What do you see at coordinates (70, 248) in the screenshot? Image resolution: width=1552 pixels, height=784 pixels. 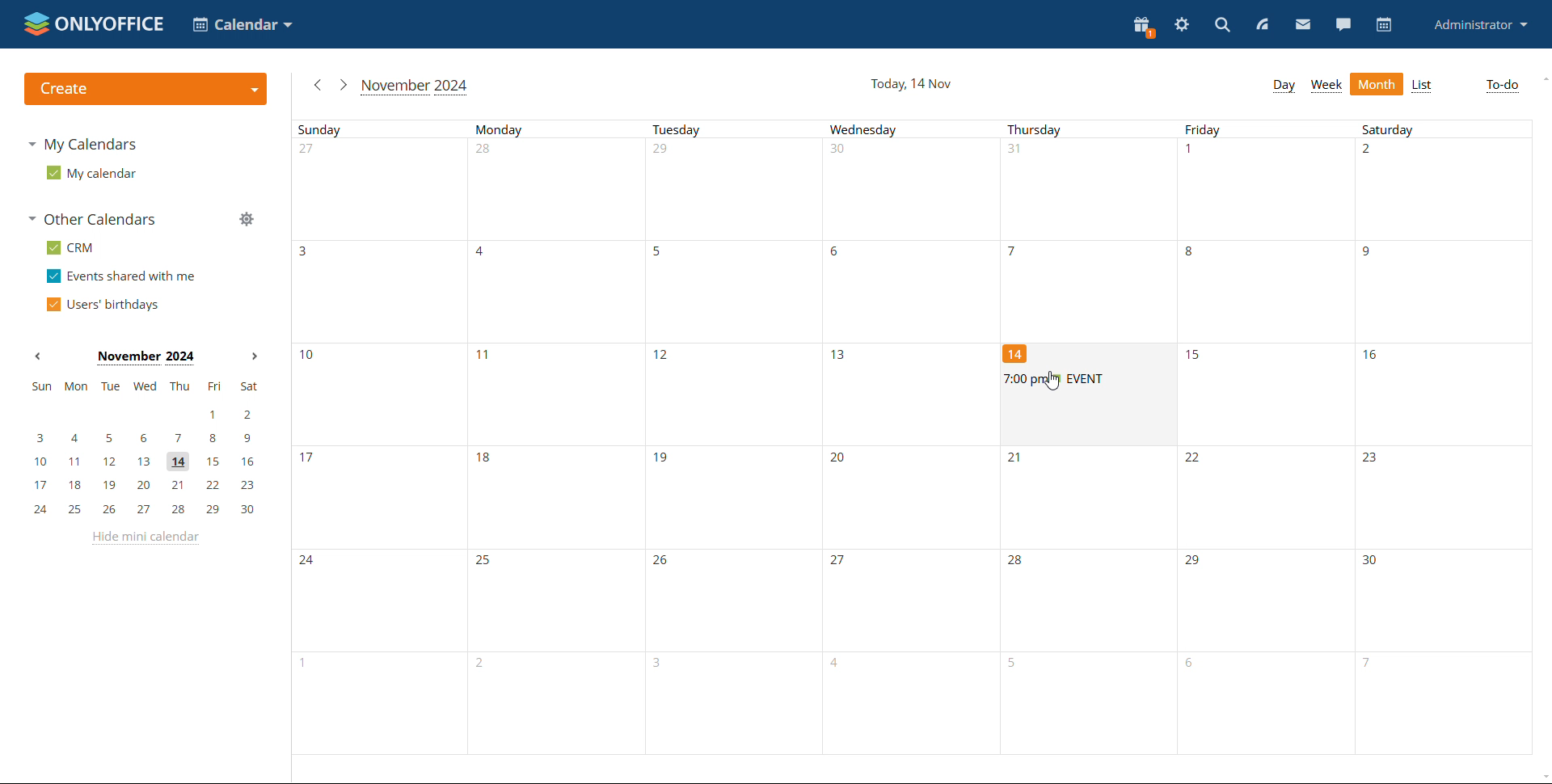 I see `crm` at bounding box center [70, 248].